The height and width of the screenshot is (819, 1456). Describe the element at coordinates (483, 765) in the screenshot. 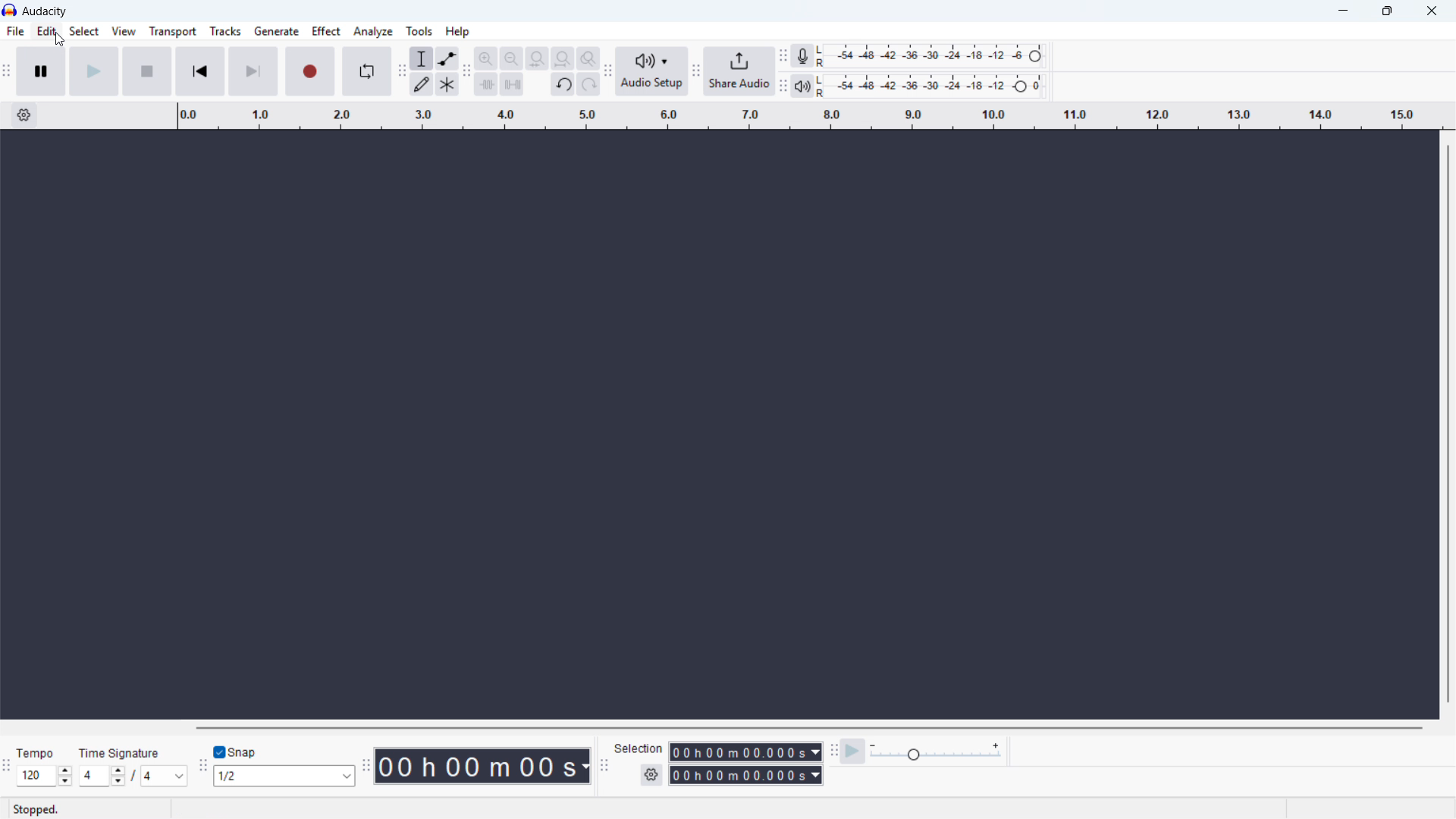

I see `timestamp` at that location.